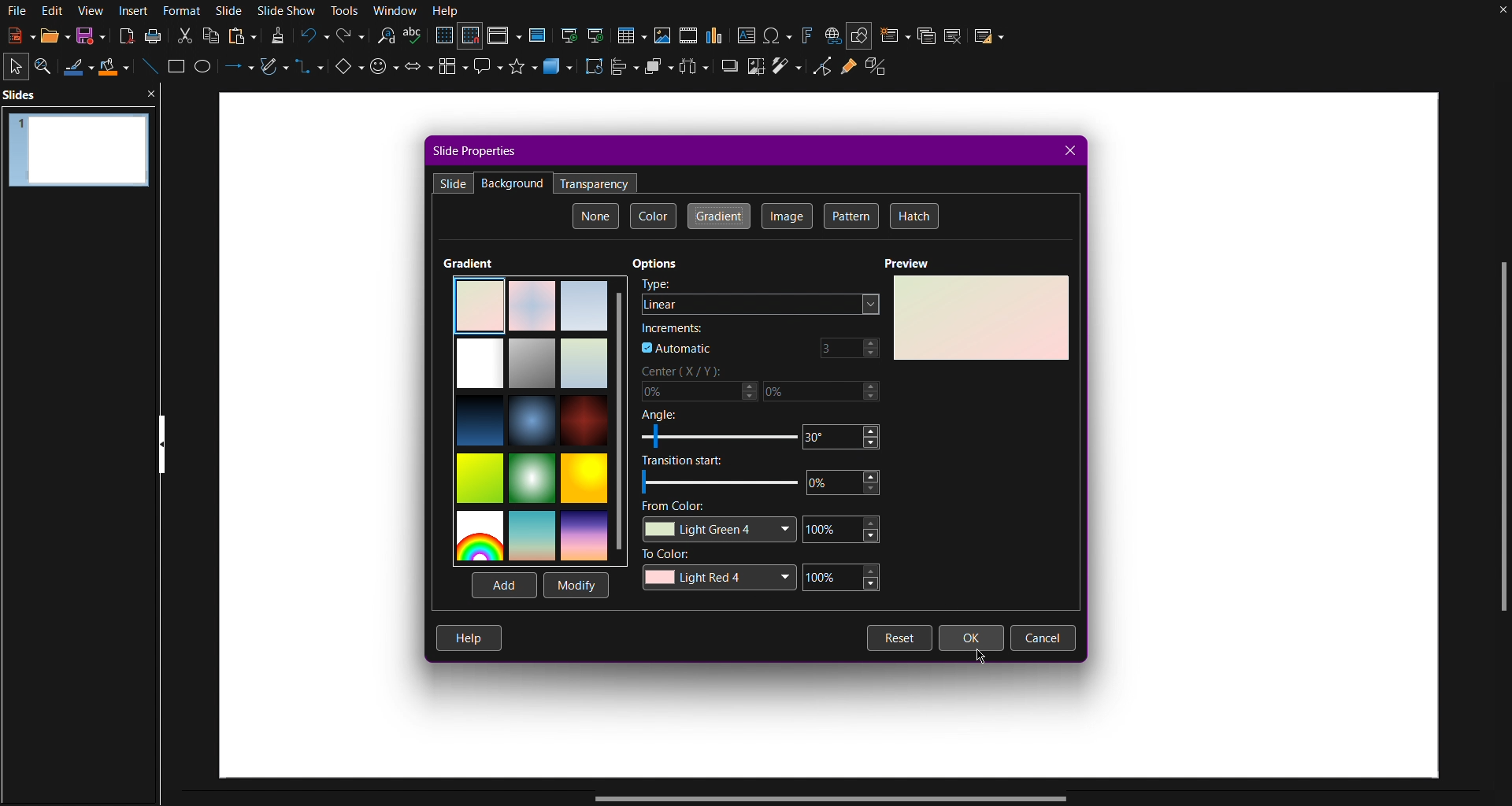 The height and width of the screenshot is (806, 1512). What do you see at coordinates (860, 34) in the screenshot?
I see `Show Draw Functions` at bounding box center [860, 34].